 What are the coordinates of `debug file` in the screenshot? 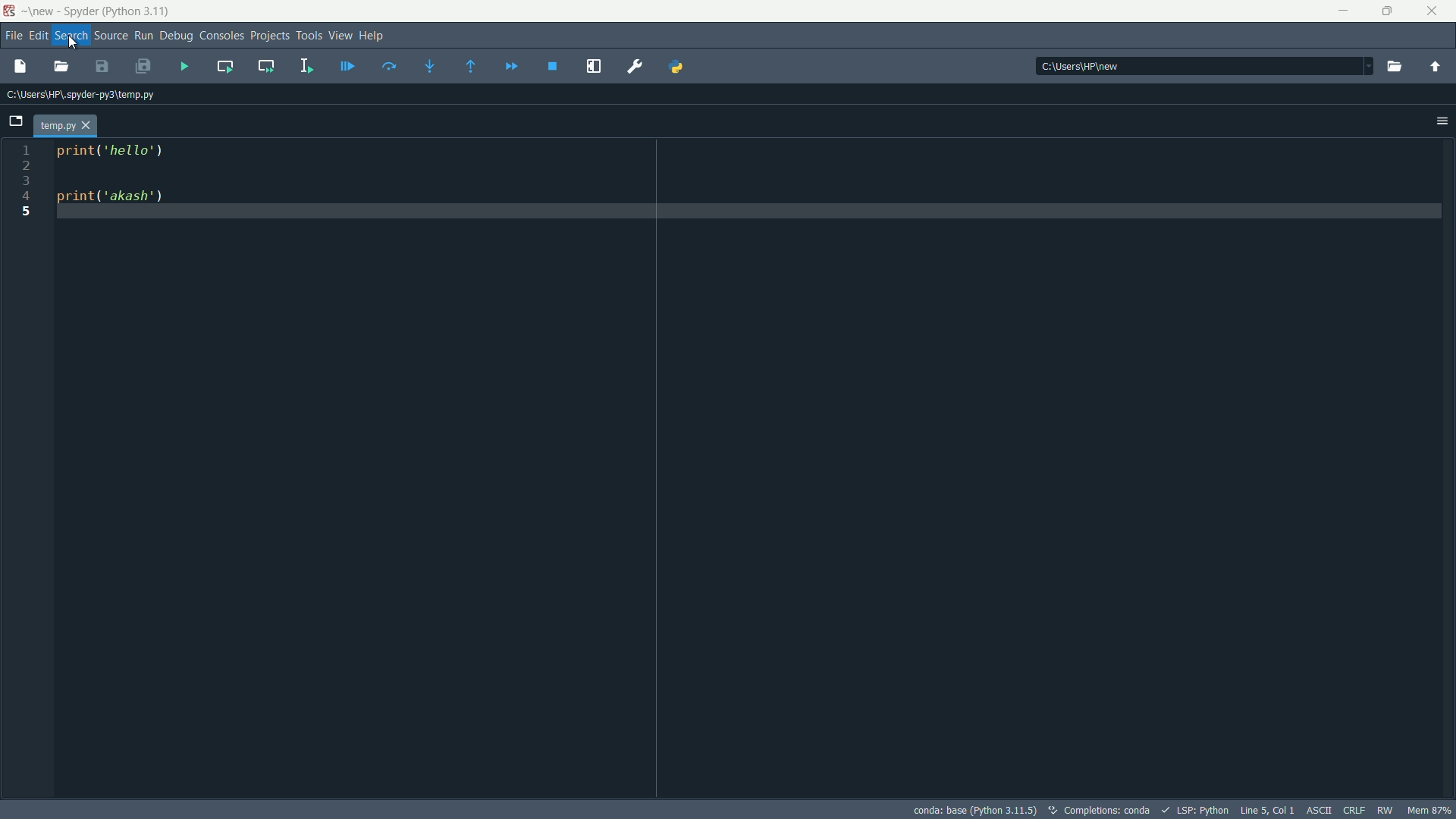 It's located at (184, 66).